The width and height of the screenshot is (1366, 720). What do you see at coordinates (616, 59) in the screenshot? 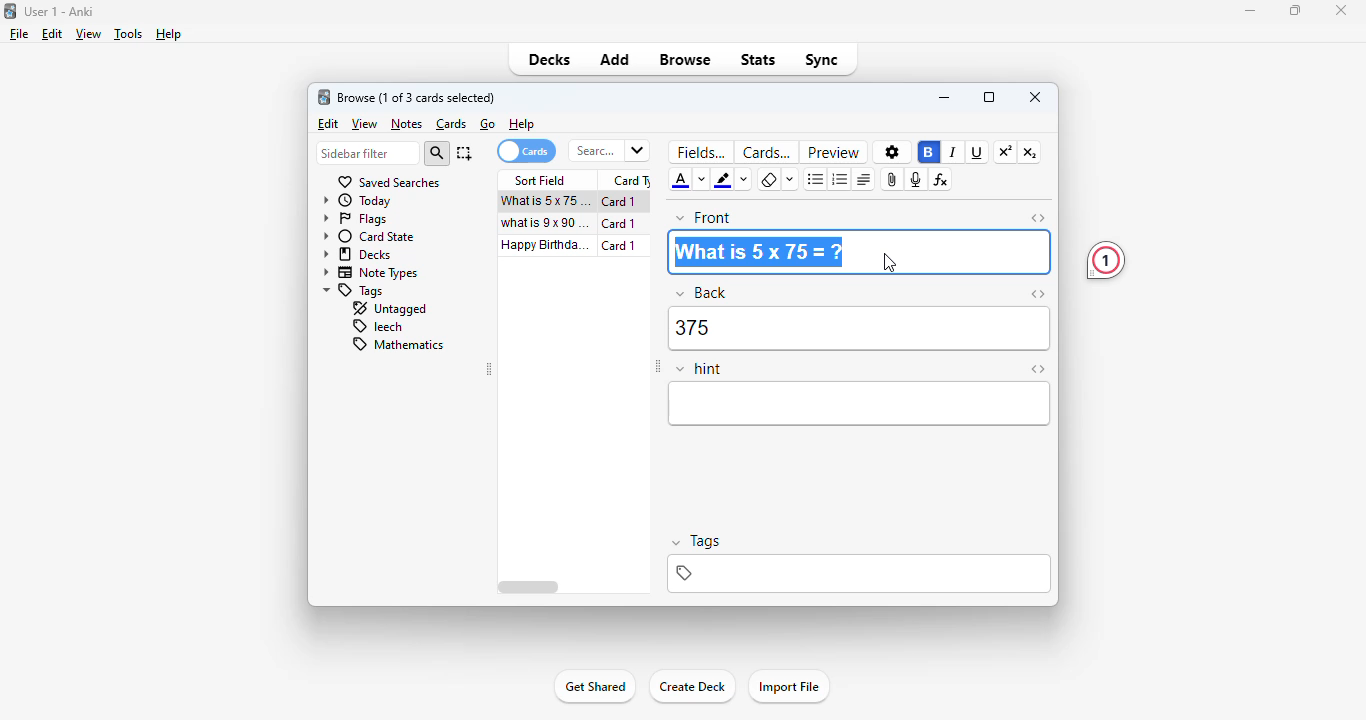
I see `add` at bounding box center [616, 59].